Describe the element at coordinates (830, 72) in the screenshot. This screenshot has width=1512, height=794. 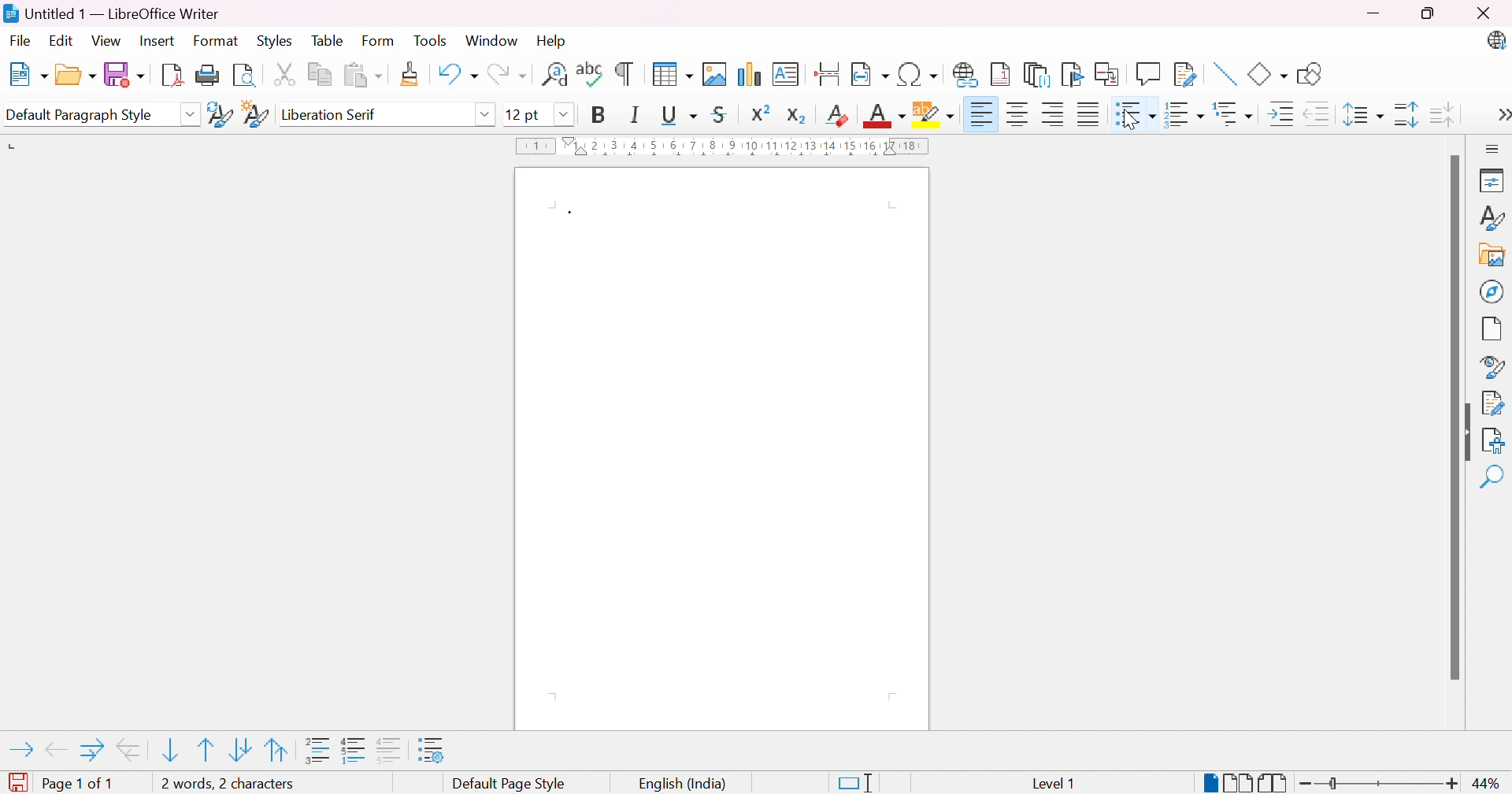
I see `Inset page break` at that location.